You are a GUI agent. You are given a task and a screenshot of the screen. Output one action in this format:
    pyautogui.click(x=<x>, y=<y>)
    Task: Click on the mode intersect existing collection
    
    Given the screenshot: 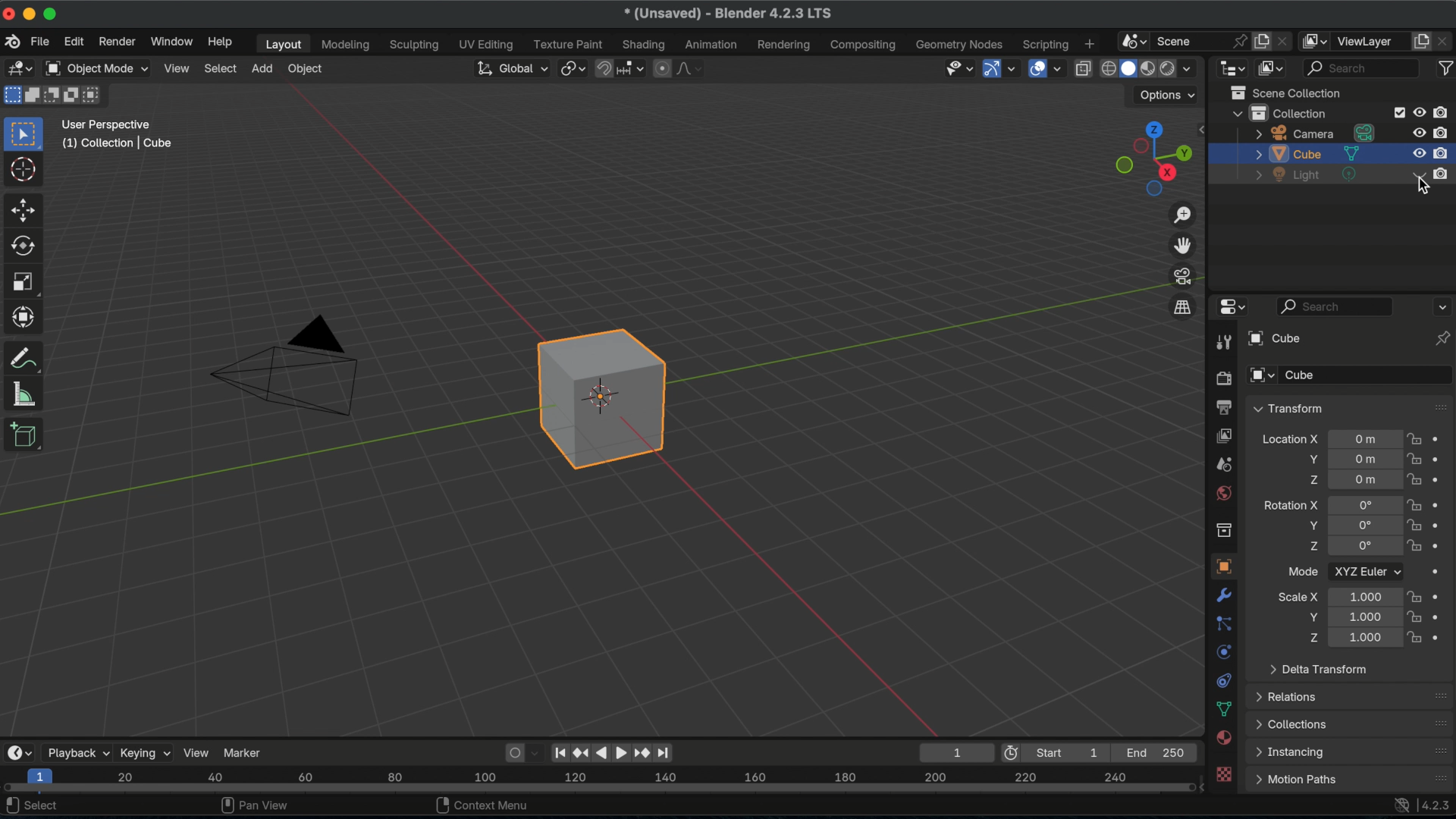 What is the action you would take?
    pyautogui.click(x=93, y=96)
    